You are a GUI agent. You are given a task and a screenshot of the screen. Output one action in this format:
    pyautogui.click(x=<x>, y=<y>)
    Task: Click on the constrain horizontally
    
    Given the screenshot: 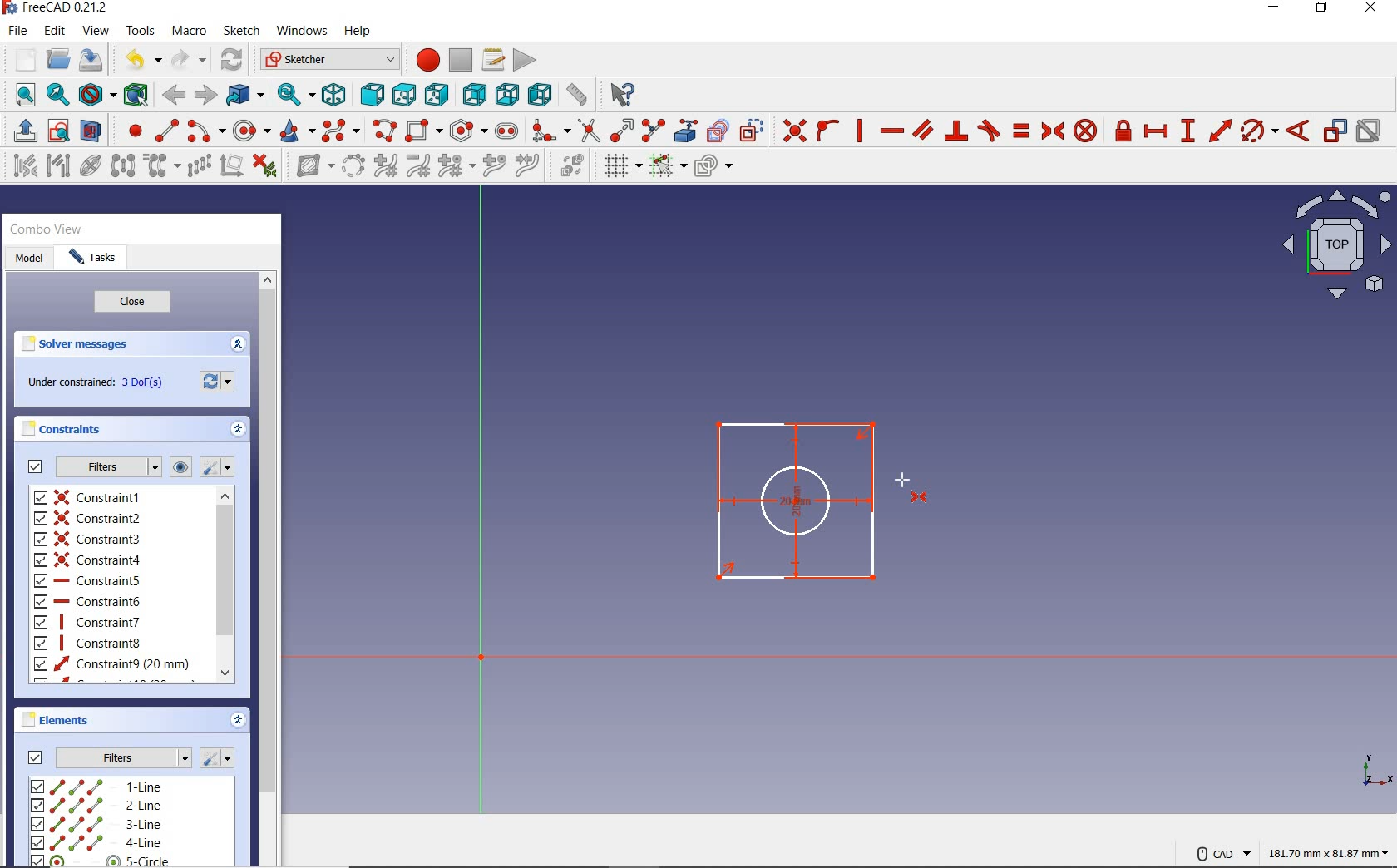 What is the action you would take?
    pyautogui.click(x=893, y=131)
    